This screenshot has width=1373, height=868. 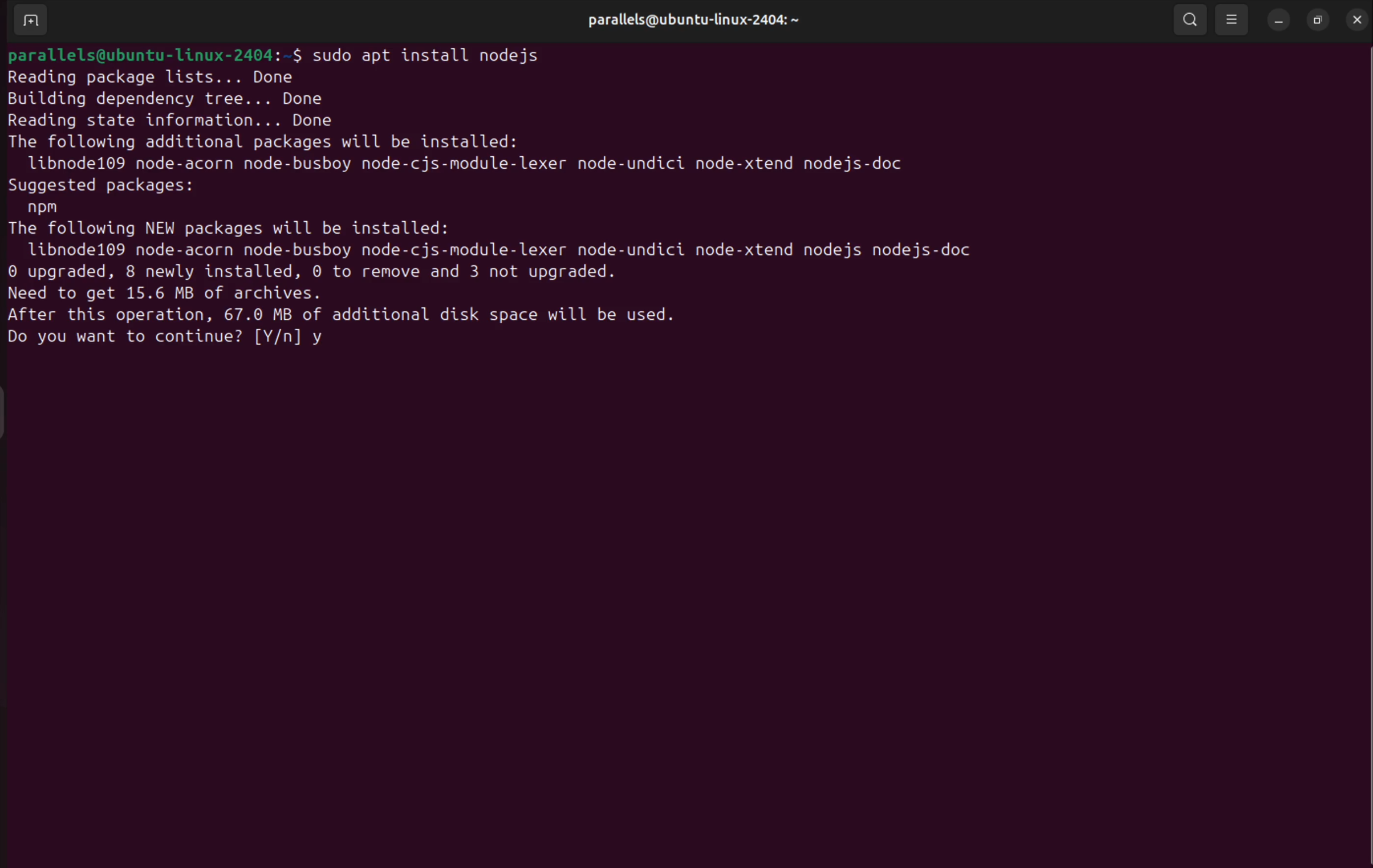 What do you see at coordinates (1354, 20) in the screenshot?
I see `close` at bounding box center [1354, 20].